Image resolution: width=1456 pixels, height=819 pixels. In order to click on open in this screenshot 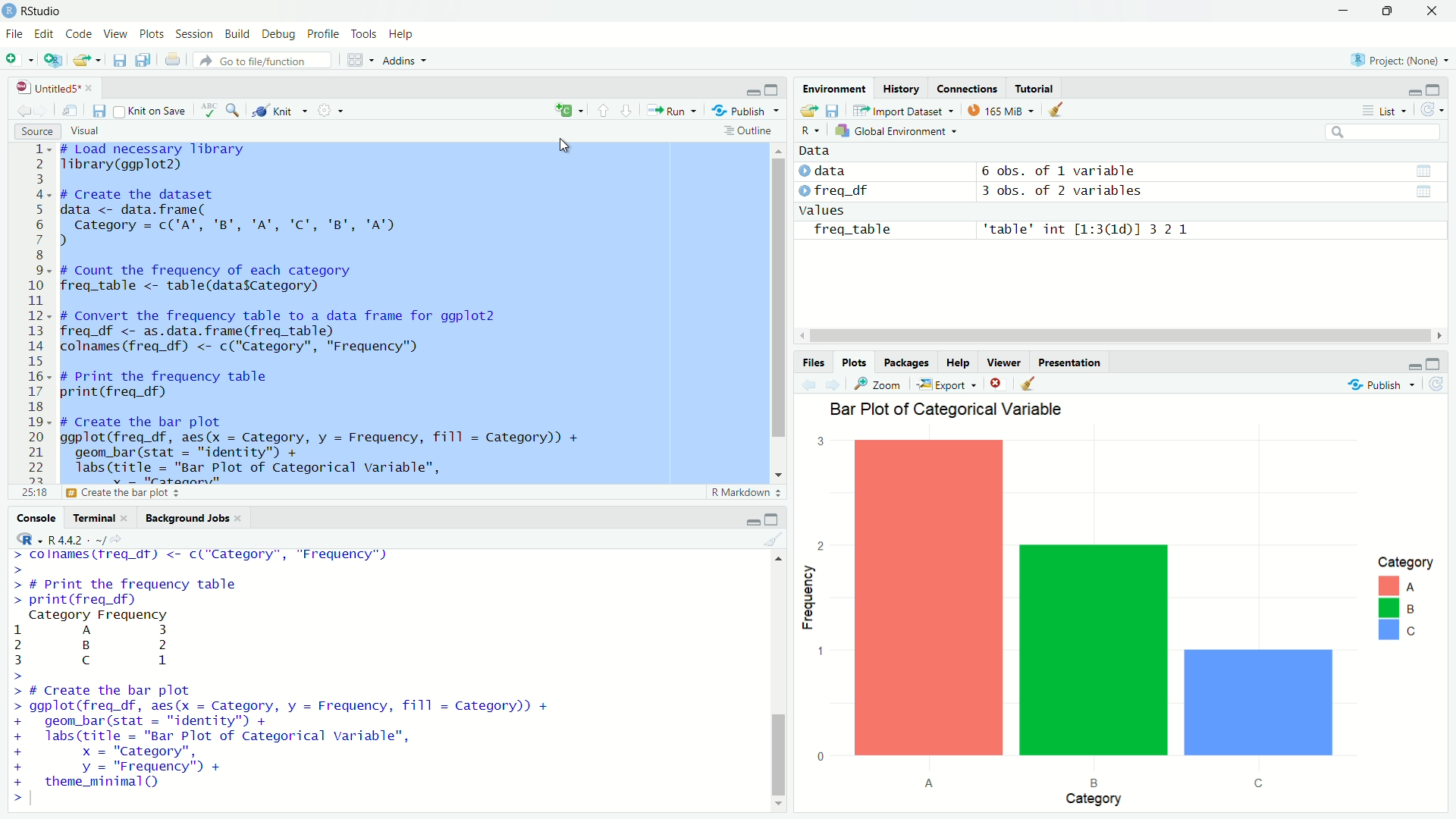, I will do `click(811, 111)`.